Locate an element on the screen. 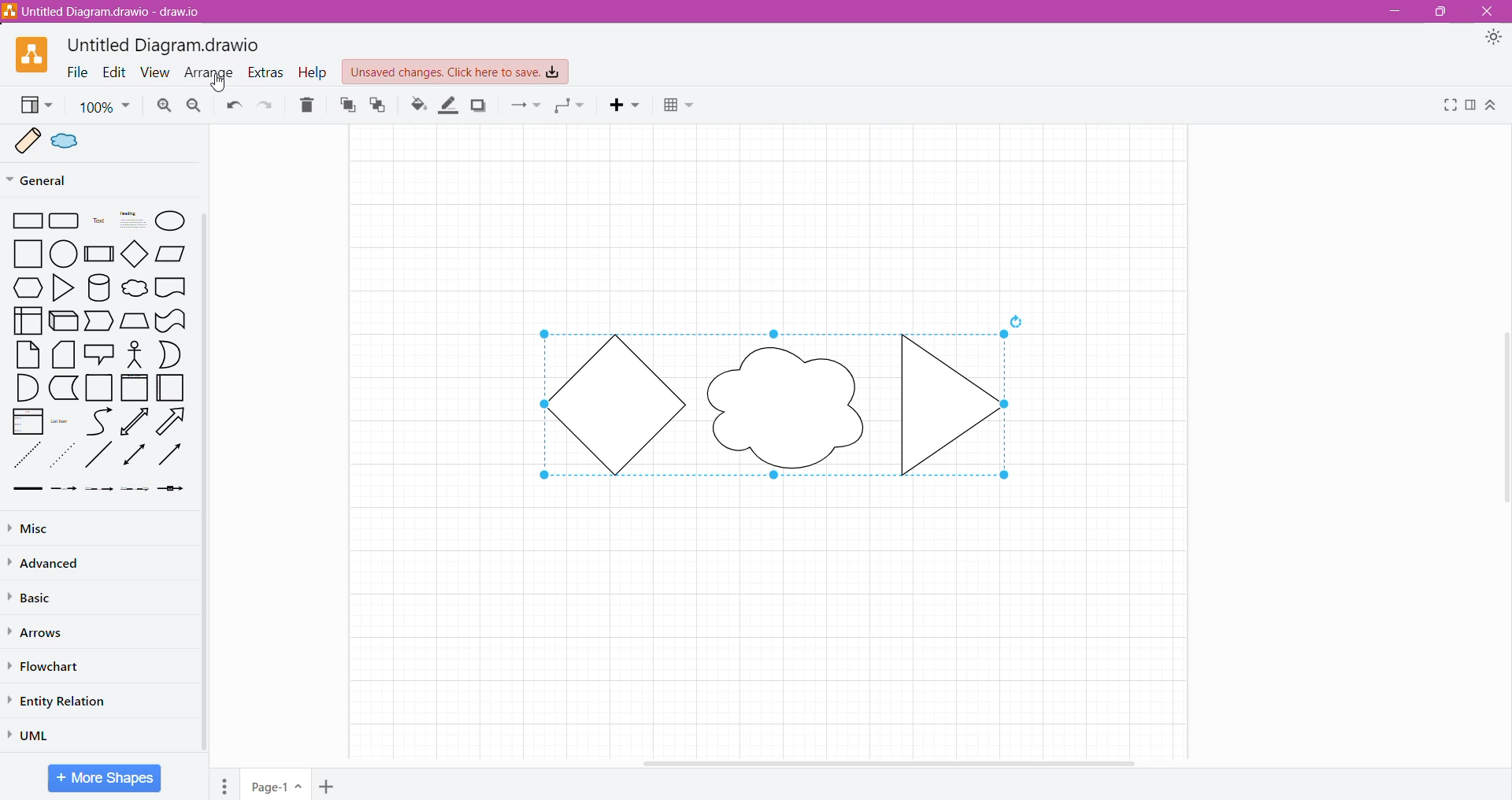 The height and width of the screenshot is (800, 1512). Delete is located at coordinates (309, 106).